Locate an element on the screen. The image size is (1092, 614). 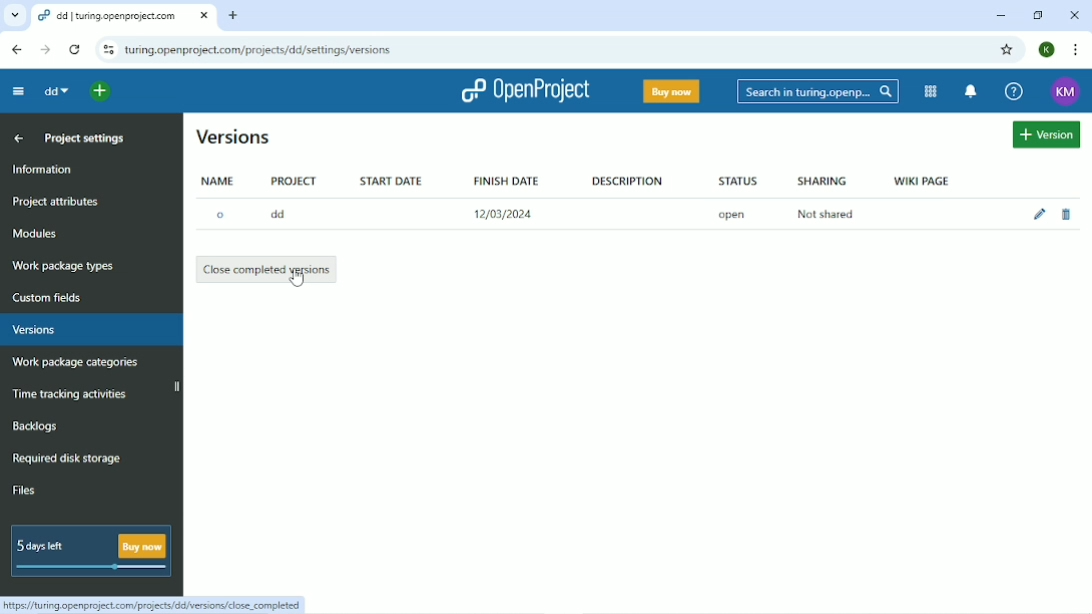
Custom fields is located at coordinates (51, 297).